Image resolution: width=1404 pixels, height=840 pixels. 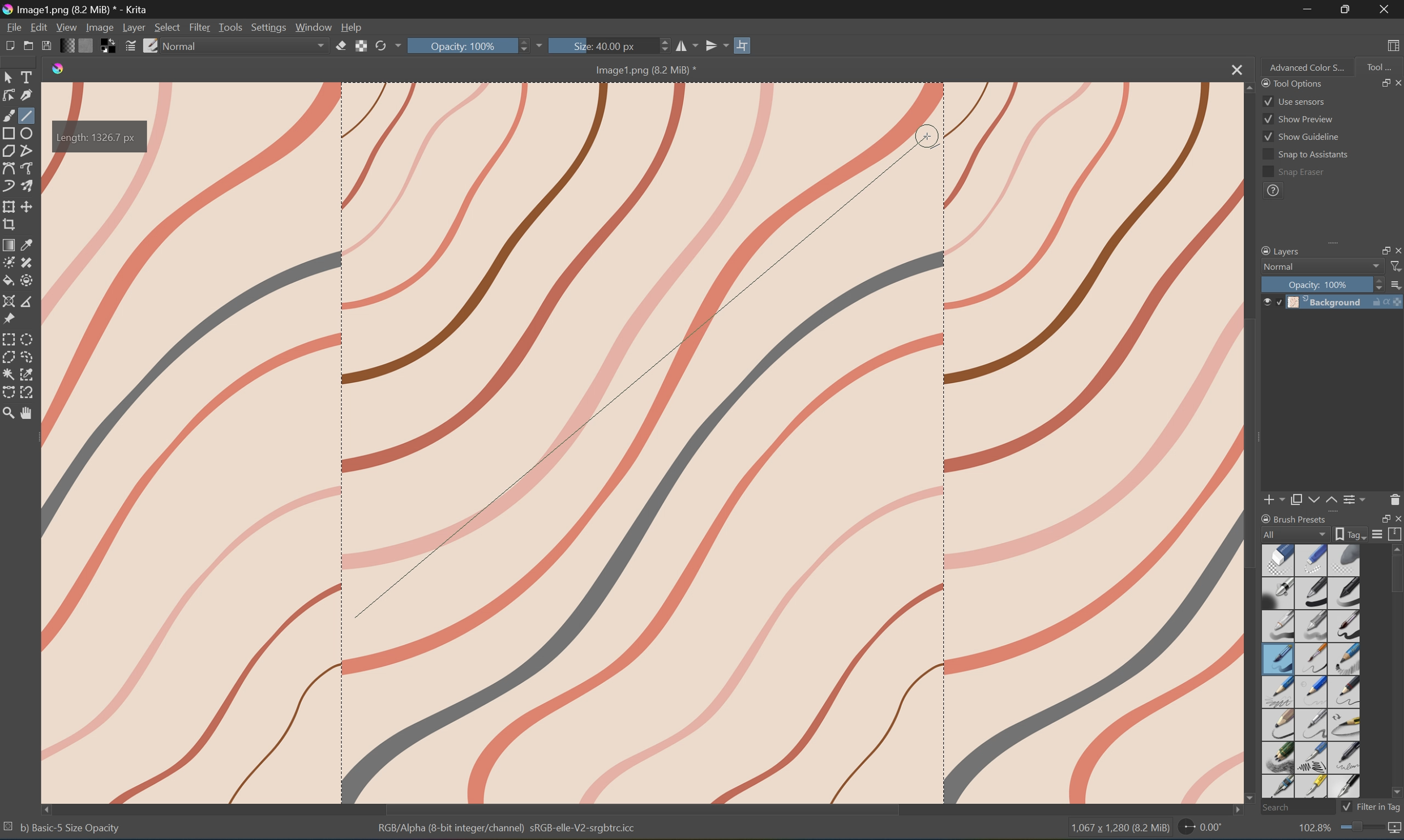 What do you see at coordinates (100, 138) in the screenshot?
I see `Length: 1326.7` at bounding box center [100, 138].